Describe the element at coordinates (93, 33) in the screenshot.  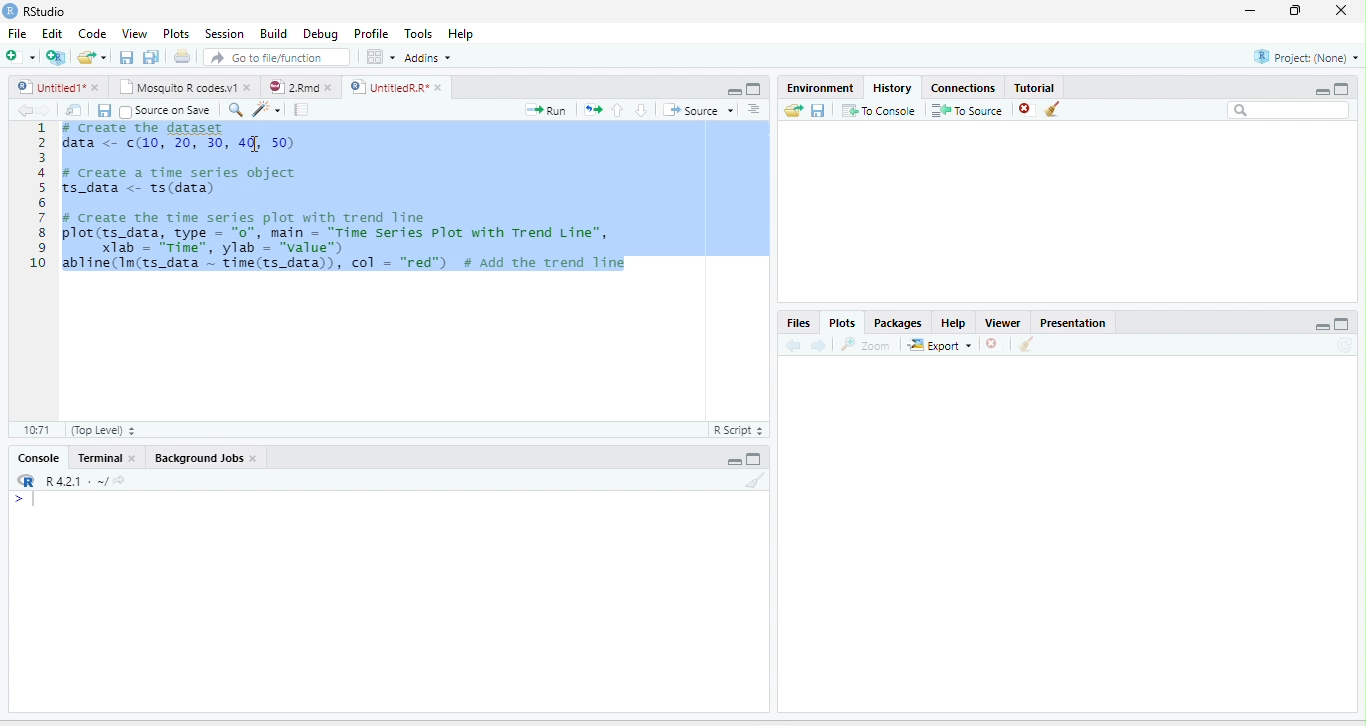
I see `Code` at that location.